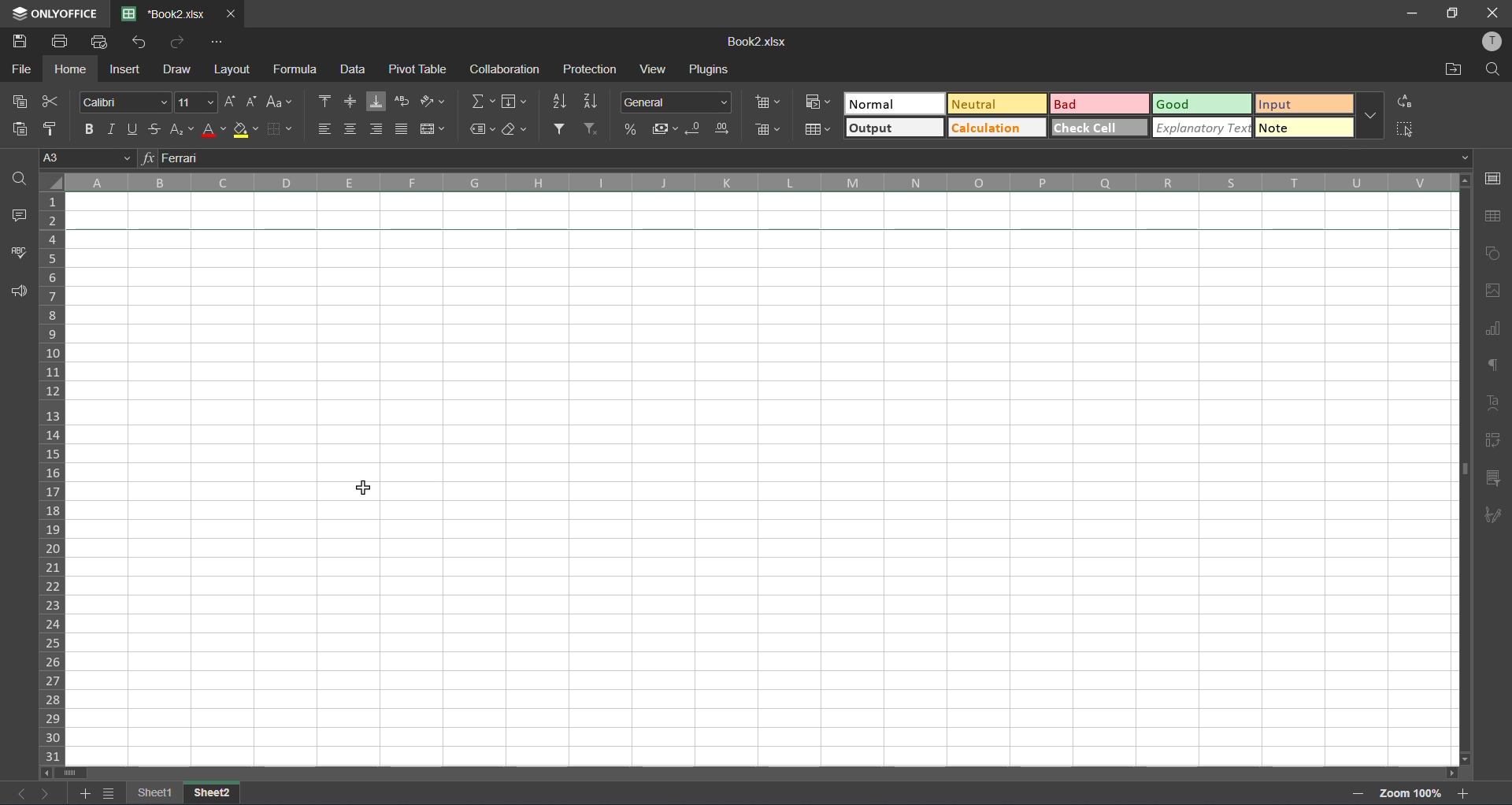 This screenshot has width=1512, height=805. What do you see at coordinates (1497, 217) in the screenshot?
I see `table` at bounding box center [1497, 217].